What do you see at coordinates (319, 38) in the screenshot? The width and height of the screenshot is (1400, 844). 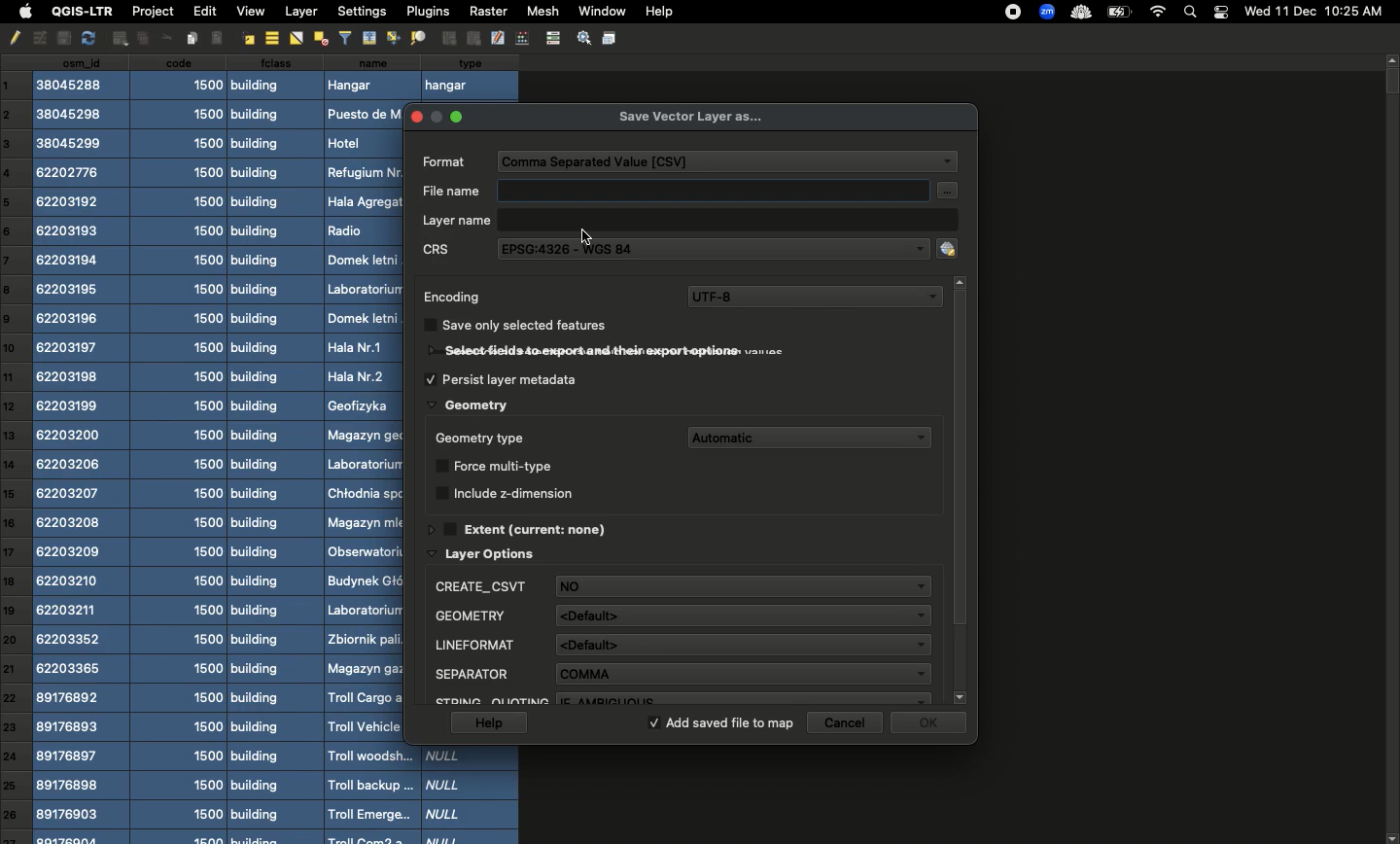 I see `Distribute Objects Evenly` at bounding box center [319, 38].